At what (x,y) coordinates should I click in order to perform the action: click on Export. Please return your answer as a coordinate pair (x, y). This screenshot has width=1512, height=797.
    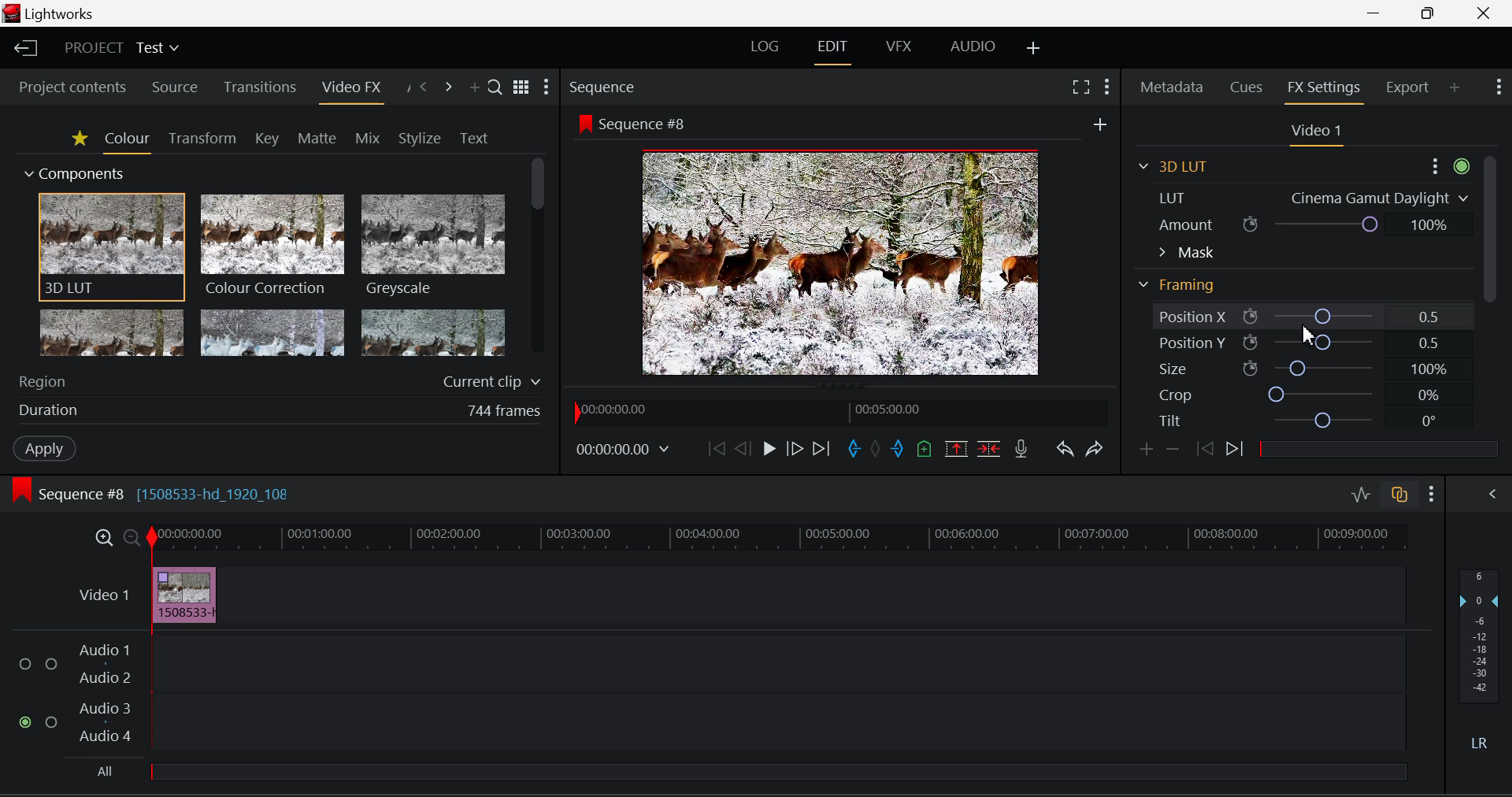
    Looking at the image, I should click on (1405, 90).